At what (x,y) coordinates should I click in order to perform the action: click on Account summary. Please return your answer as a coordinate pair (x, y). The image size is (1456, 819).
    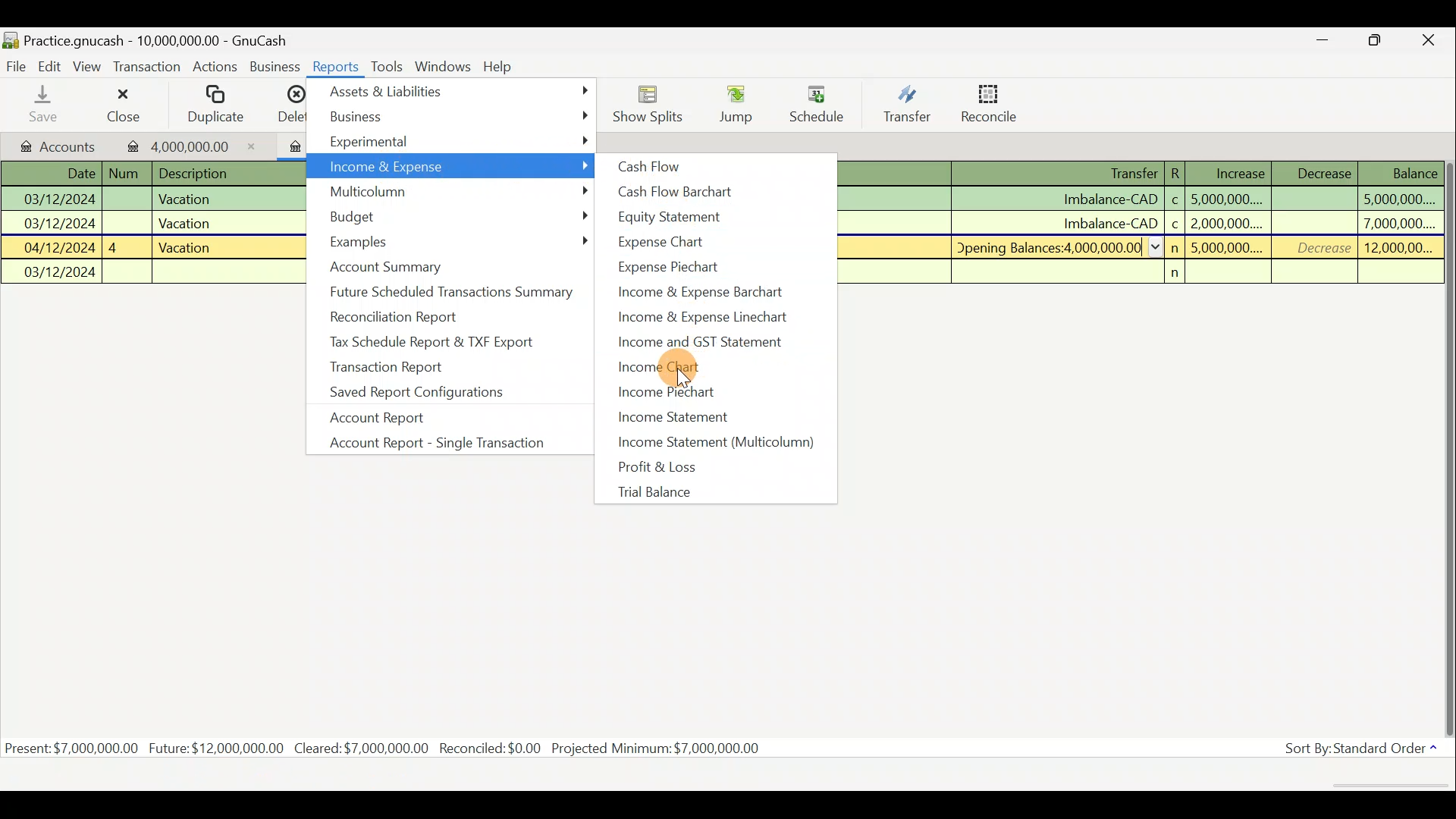
    Looking at the image, I should click on (390, 266).